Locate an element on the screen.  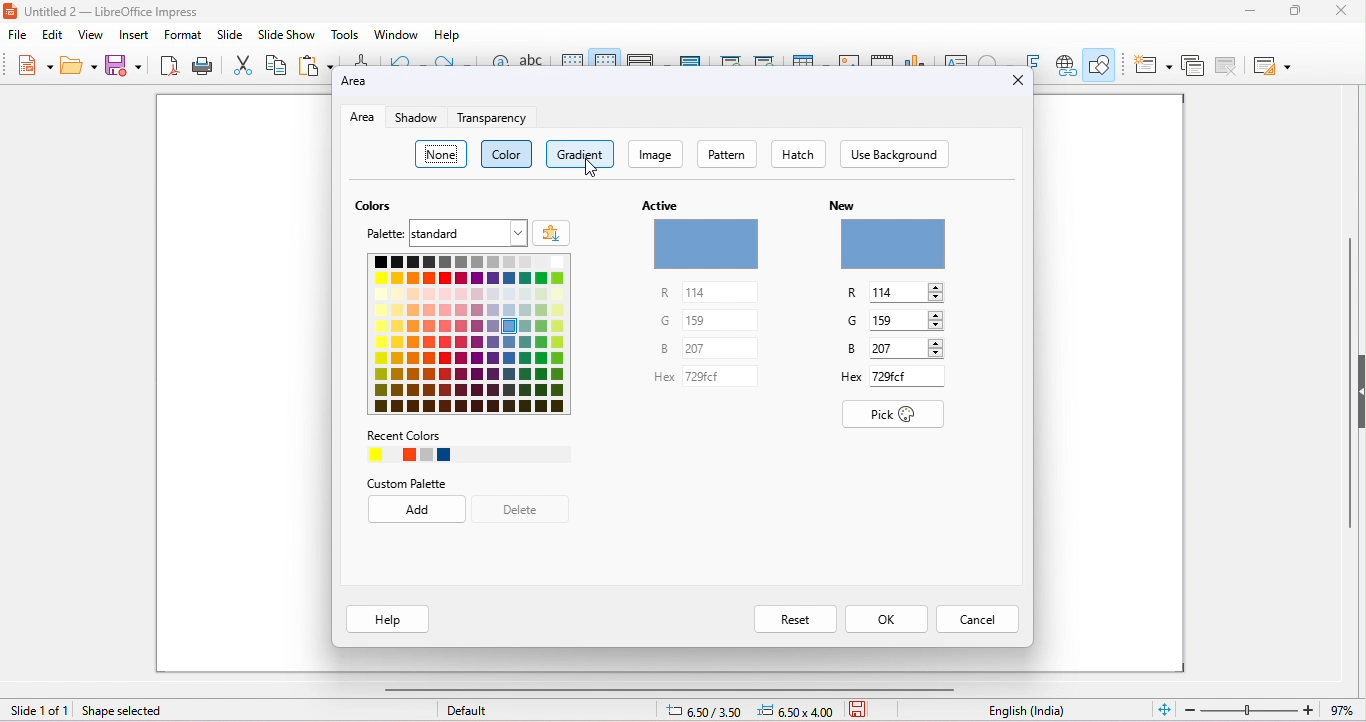
6.50/3.50 (cursor position) is located at coordinates (708, 712).